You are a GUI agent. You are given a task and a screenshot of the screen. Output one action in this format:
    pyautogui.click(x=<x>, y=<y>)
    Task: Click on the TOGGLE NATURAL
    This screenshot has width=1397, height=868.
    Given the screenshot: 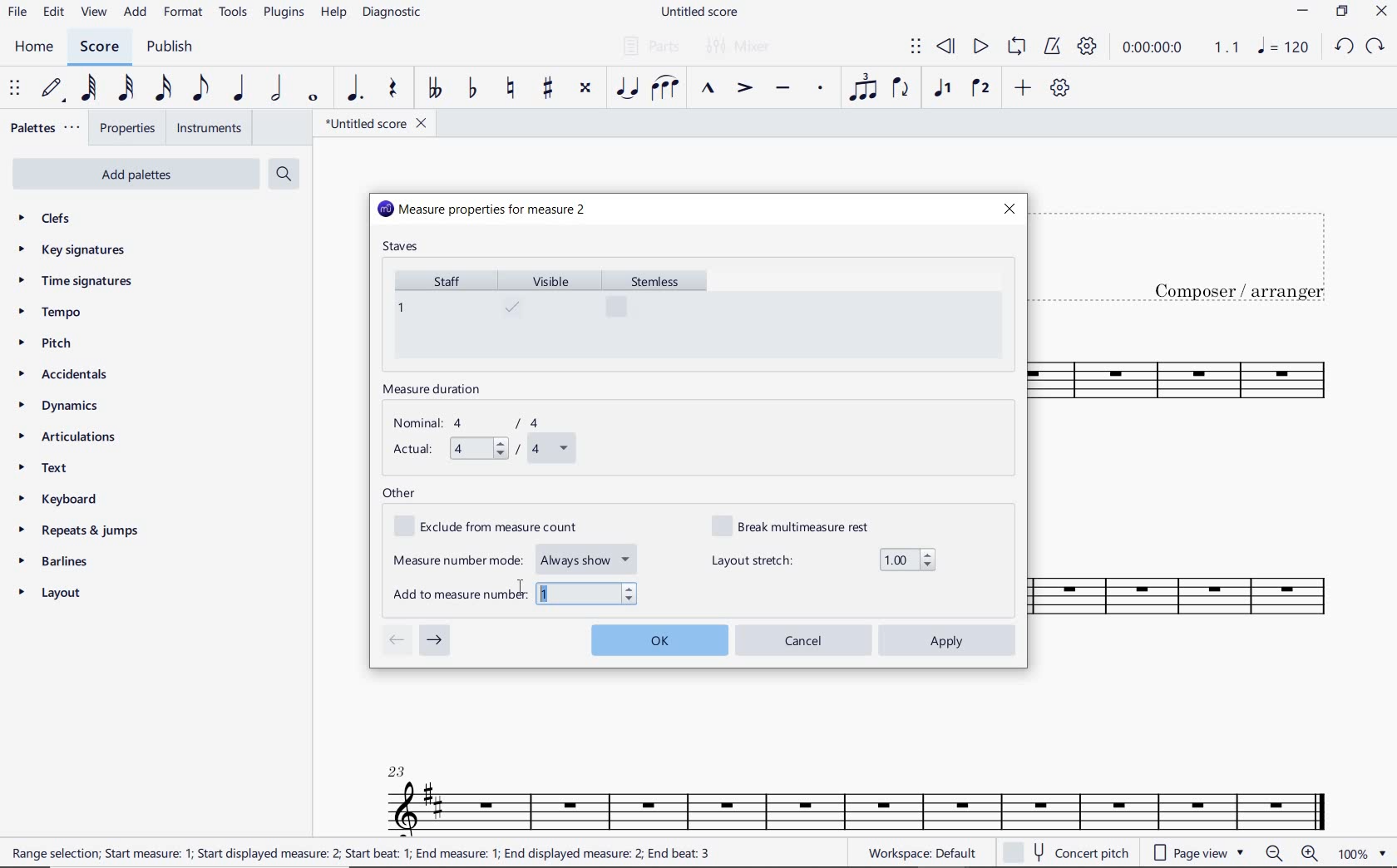 What is the action you would take?
    pyautogui.click(x=513, y=89)
    